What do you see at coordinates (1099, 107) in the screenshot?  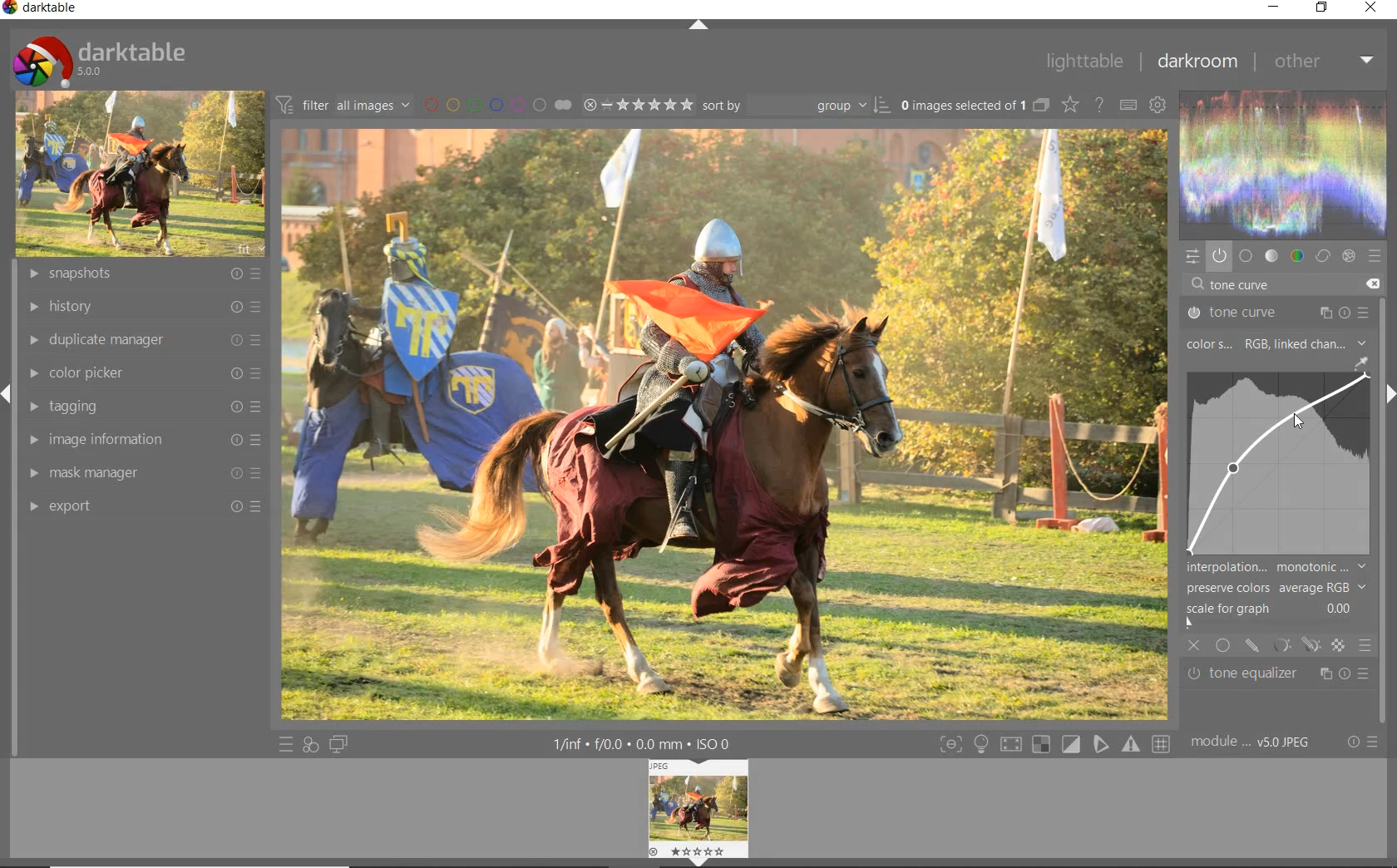 I see `enable for online help` at bounding box center [1099, 107].